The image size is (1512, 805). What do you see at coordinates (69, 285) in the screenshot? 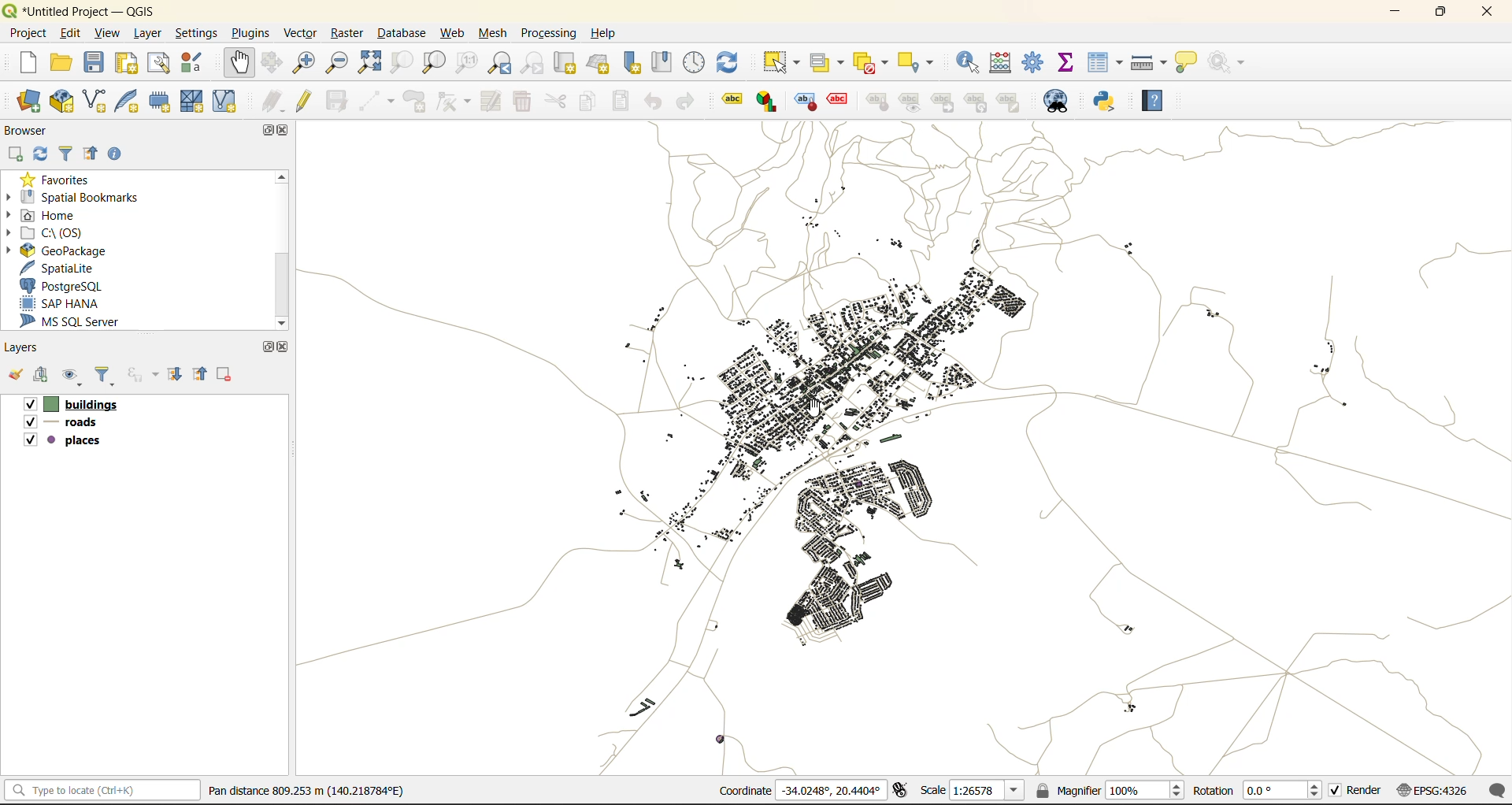
I see `postgresql` at bounding box center [69, 285].